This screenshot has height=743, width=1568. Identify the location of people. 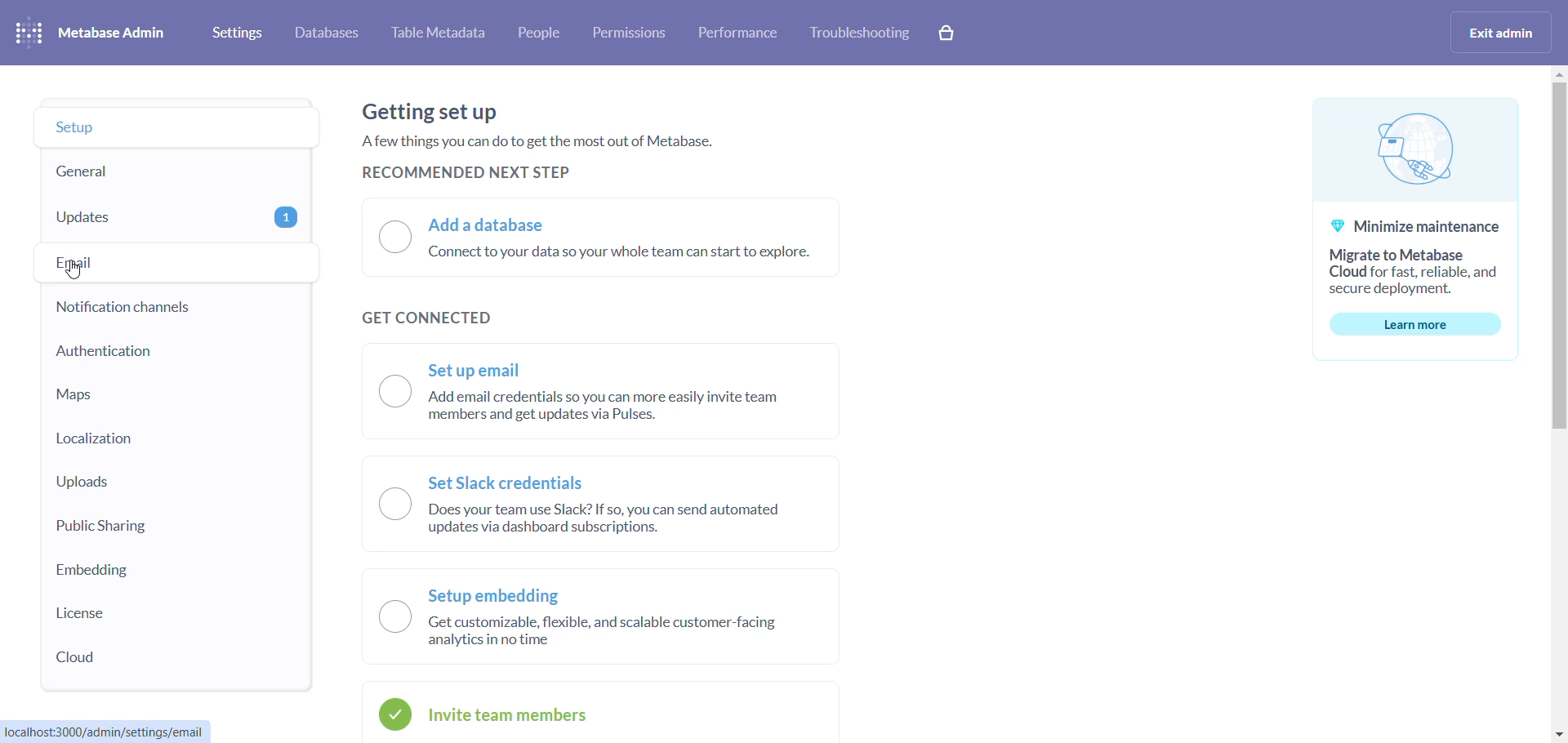
(545, 33).